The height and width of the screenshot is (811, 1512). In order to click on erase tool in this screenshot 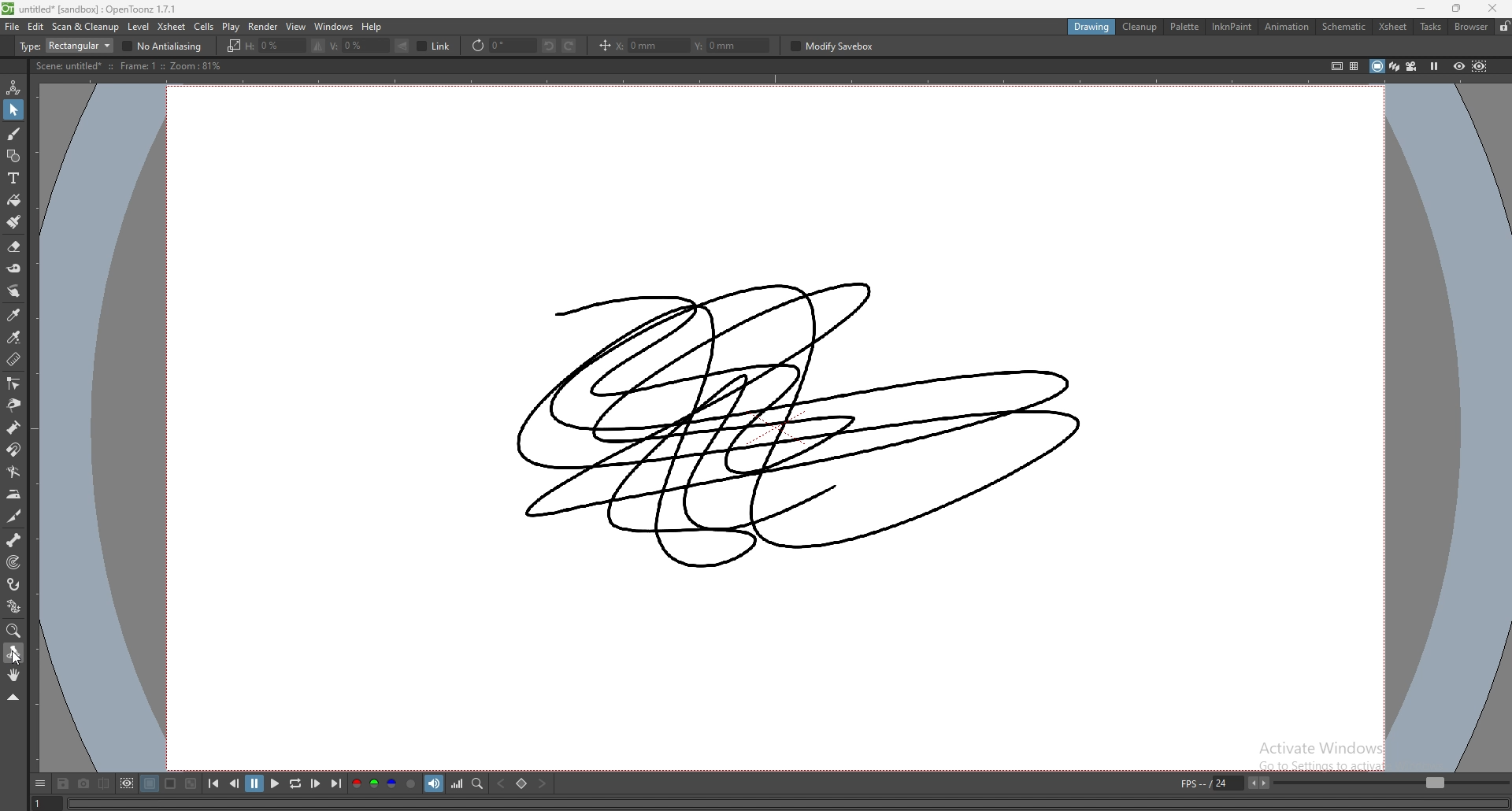, I will do `click(15, 246)`.